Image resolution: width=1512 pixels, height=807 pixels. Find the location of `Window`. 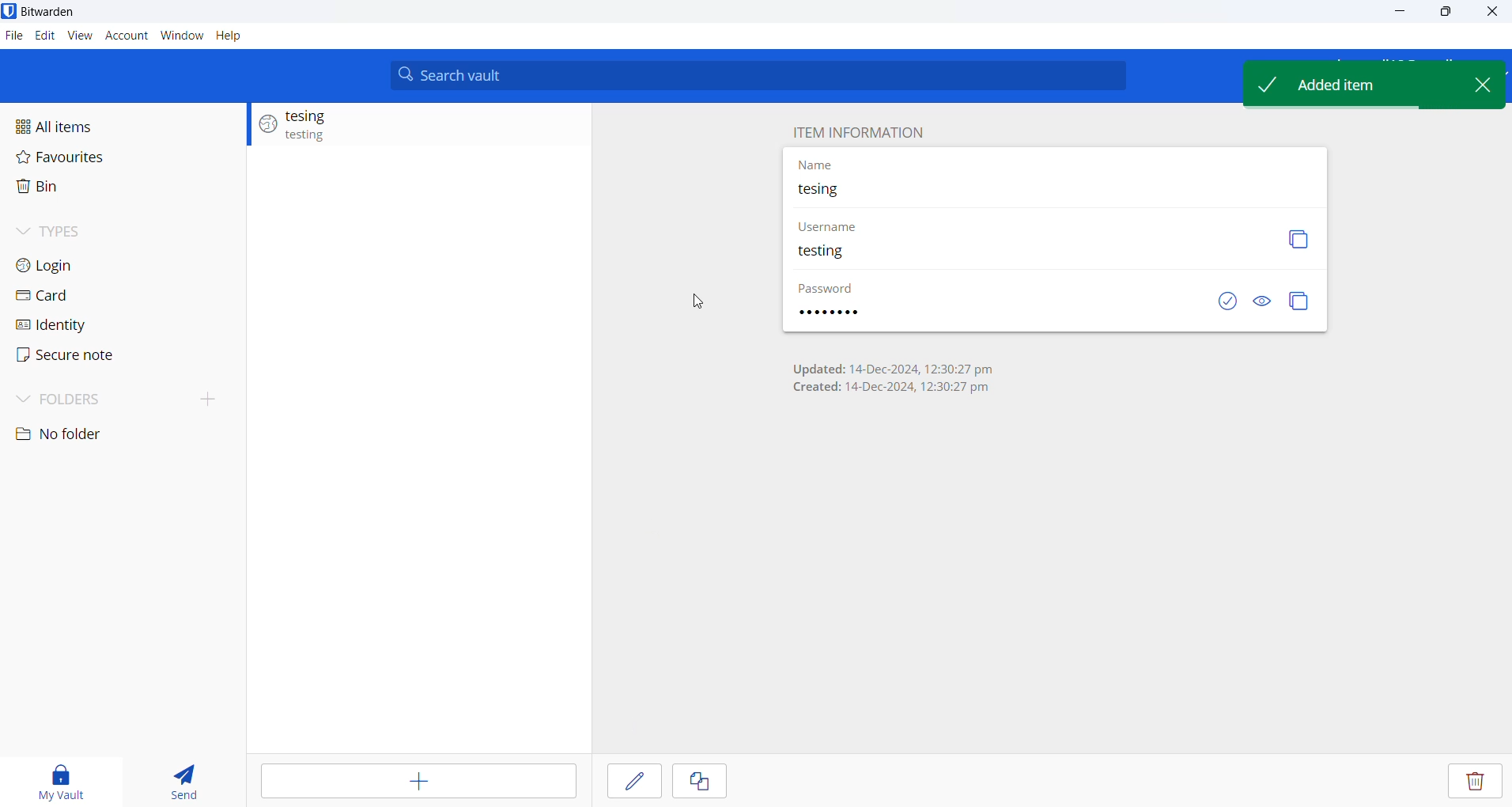

Window is located at coordinates (182, 39).